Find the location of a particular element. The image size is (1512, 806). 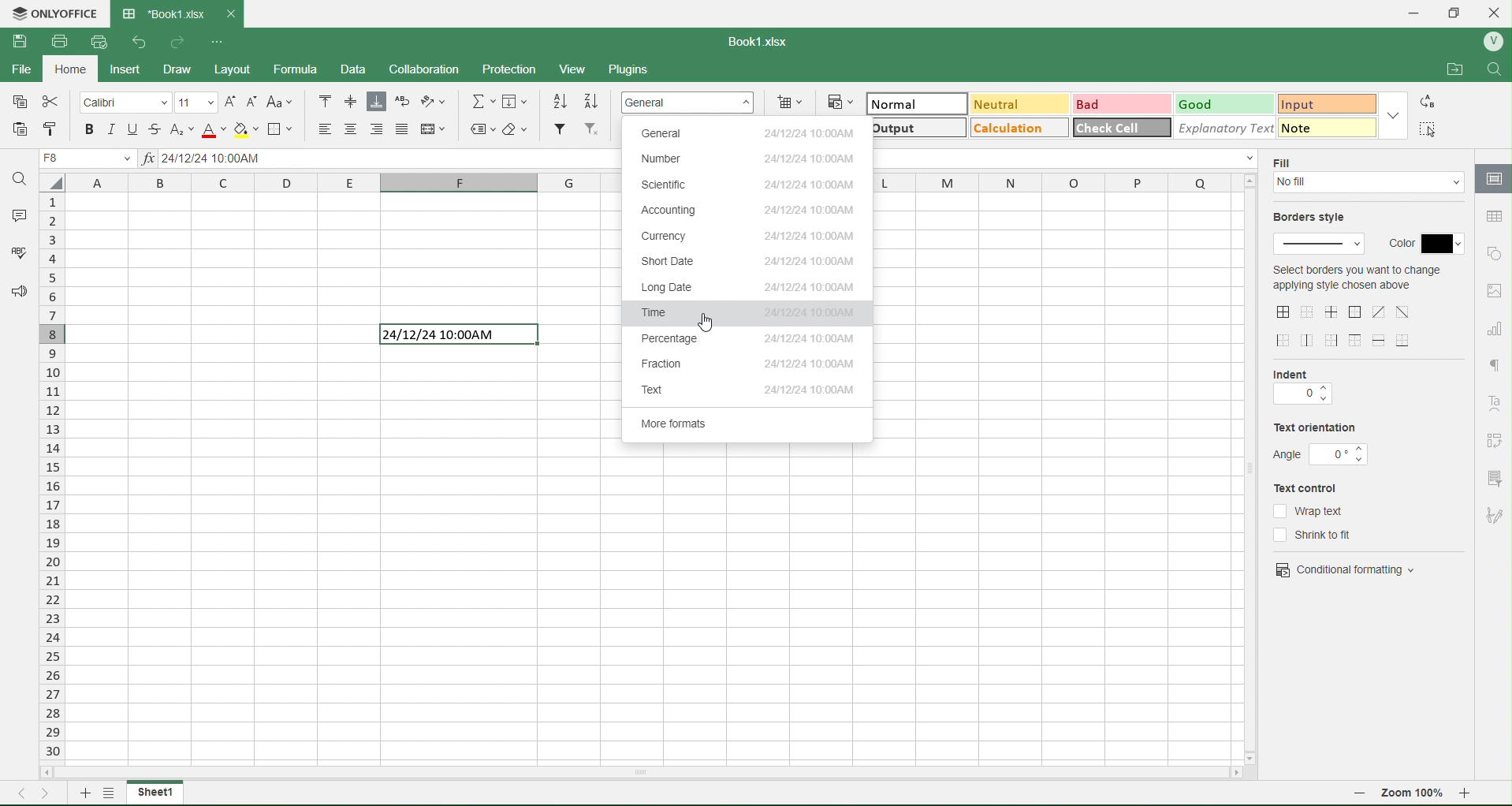

vertical border is located at coordinates (1309, 340).